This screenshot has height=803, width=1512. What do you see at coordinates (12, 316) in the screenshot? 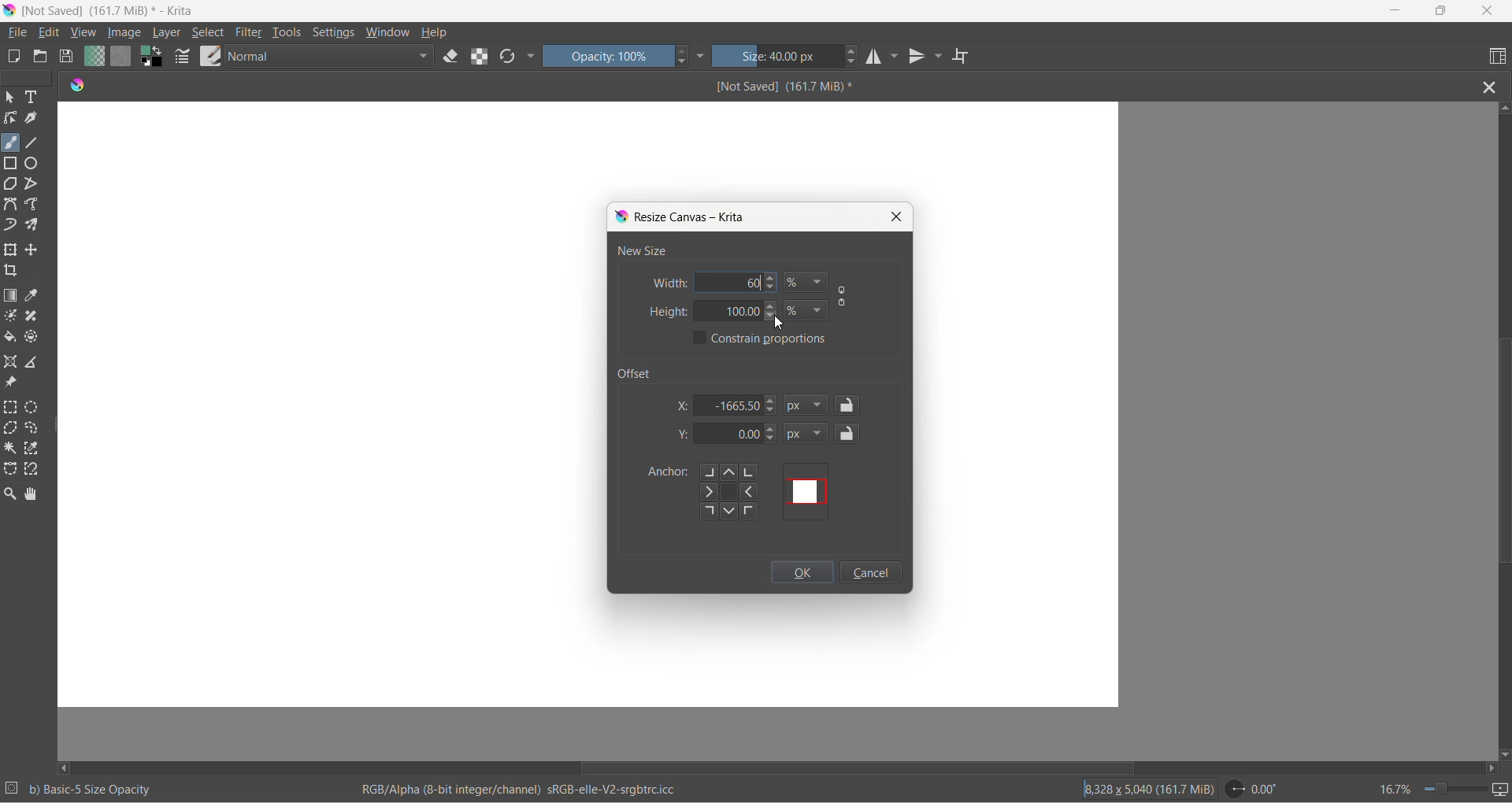
I see `colorize mask tool` at bounding box center [12, 316].